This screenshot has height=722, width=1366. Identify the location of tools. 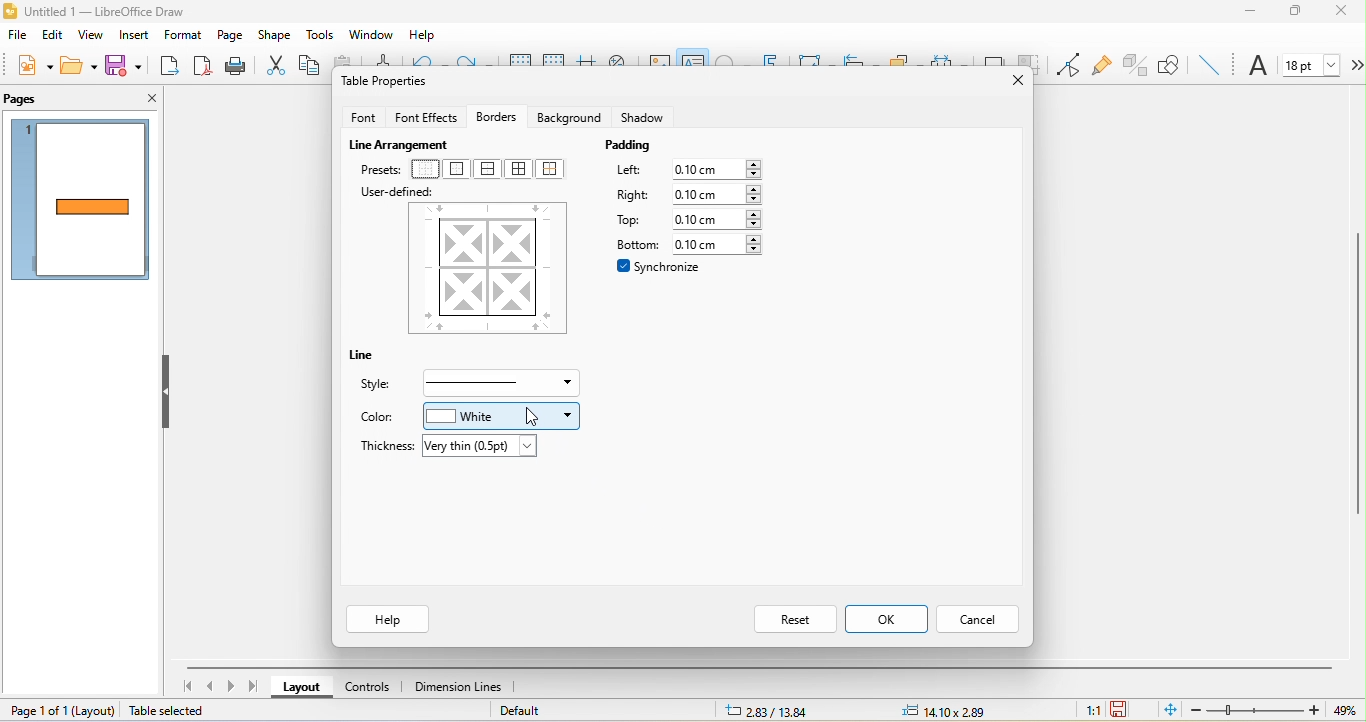
(317, 35).